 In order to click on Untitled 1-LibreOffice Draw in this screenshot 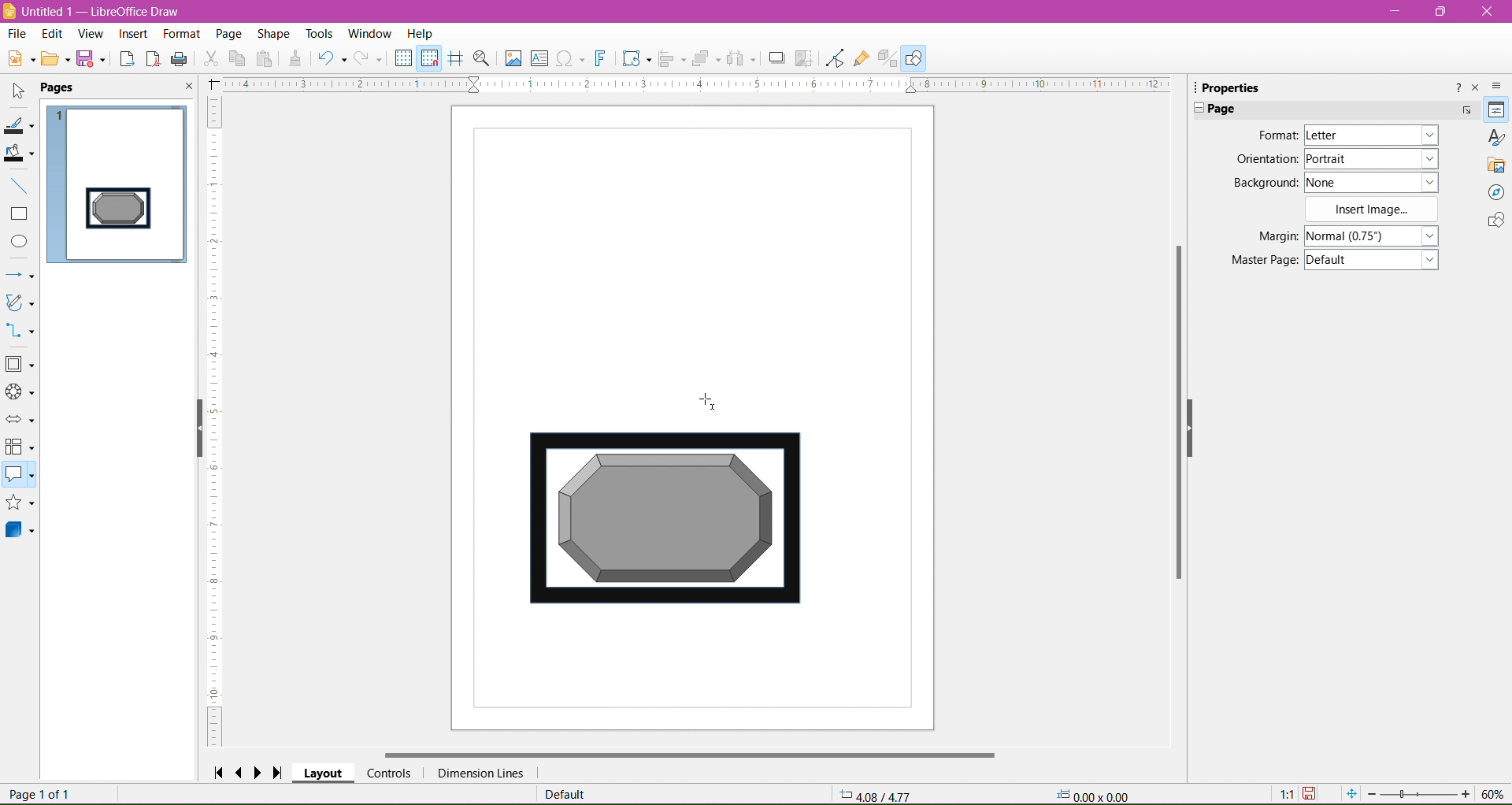, I will do `click(108, 10)`.